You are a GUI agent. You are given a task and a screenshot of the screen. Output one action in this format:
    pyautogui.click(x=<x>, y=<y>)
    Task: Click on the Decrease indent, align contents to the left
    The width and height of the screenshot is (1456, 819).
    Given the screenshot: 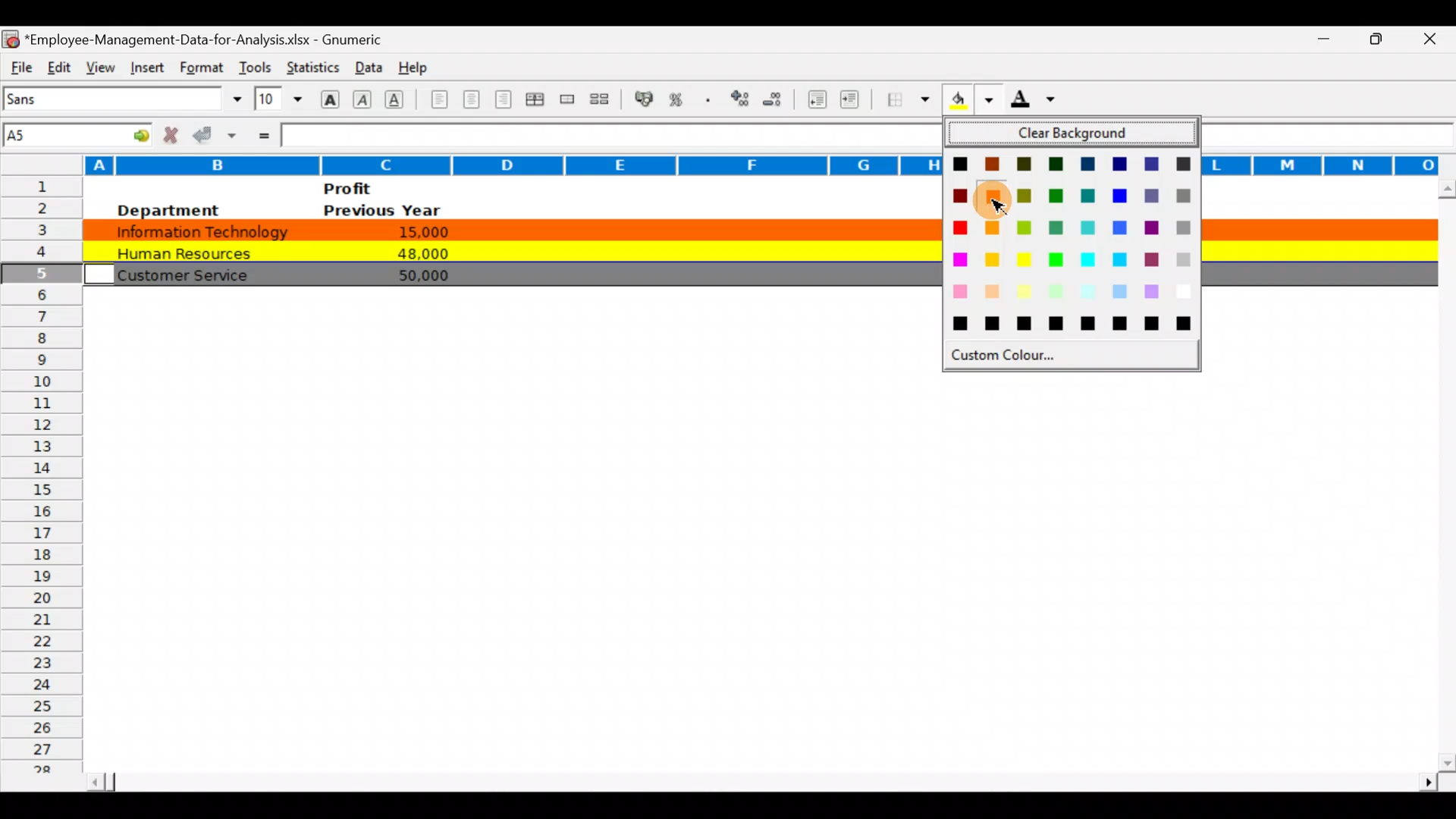 What is the action you would take?
    pyautogui.click(x=819, y=101)
    